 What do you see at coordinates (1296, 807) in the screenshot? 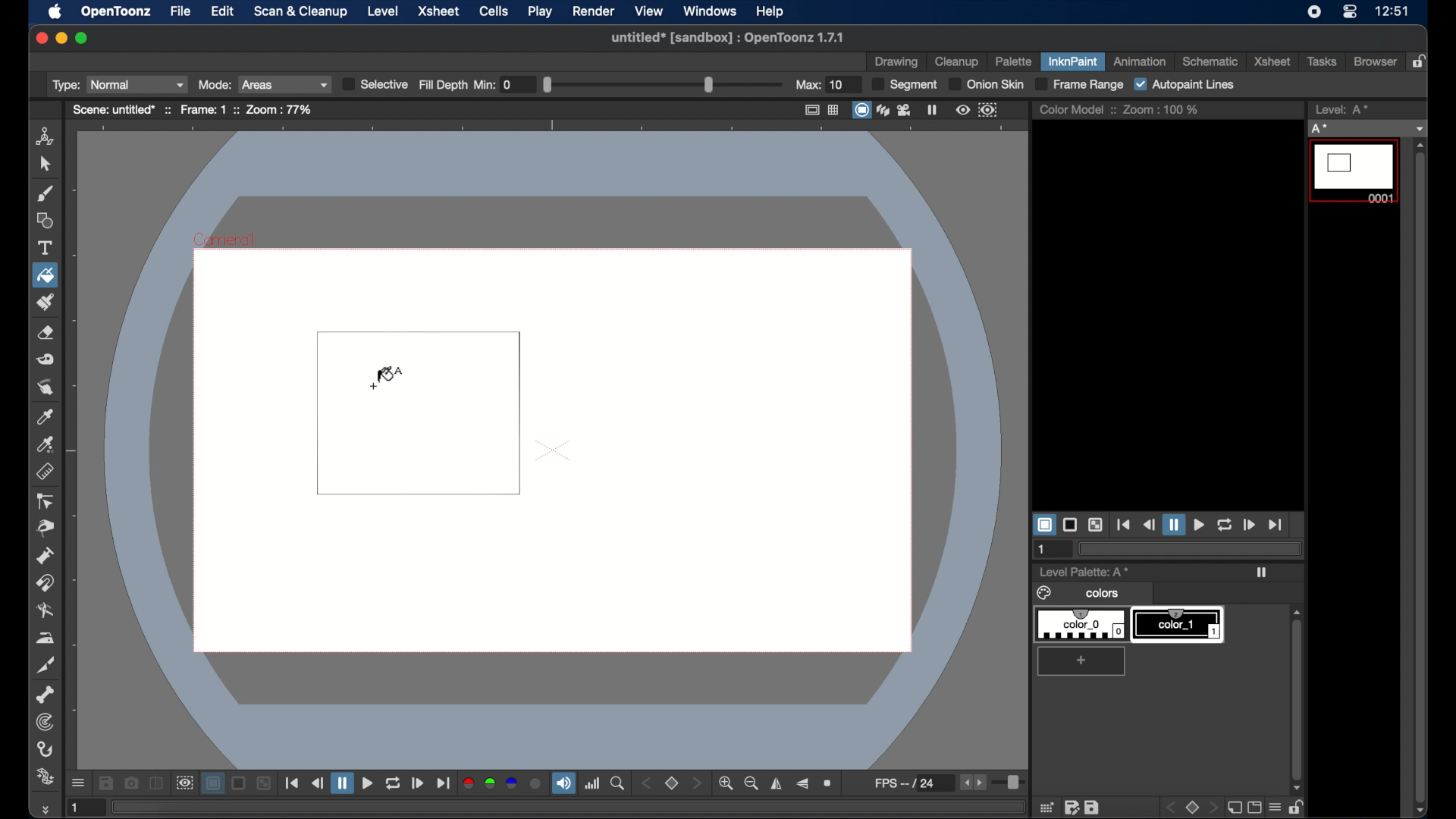
I see `unlock` at bounding box center [1296, 807].